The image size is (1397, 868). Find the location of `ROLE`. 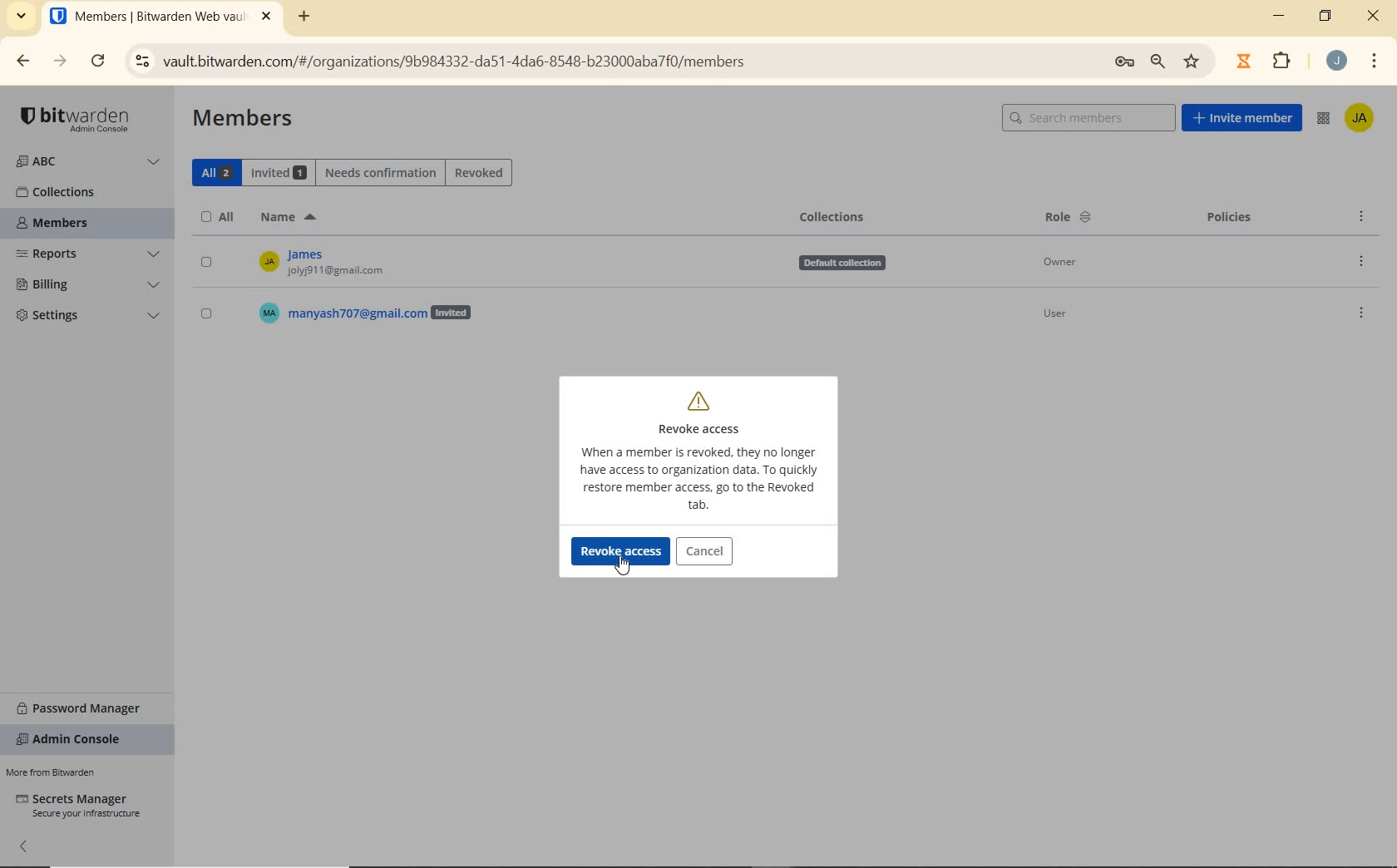

ROLE is located at coordinates (1069, 219).